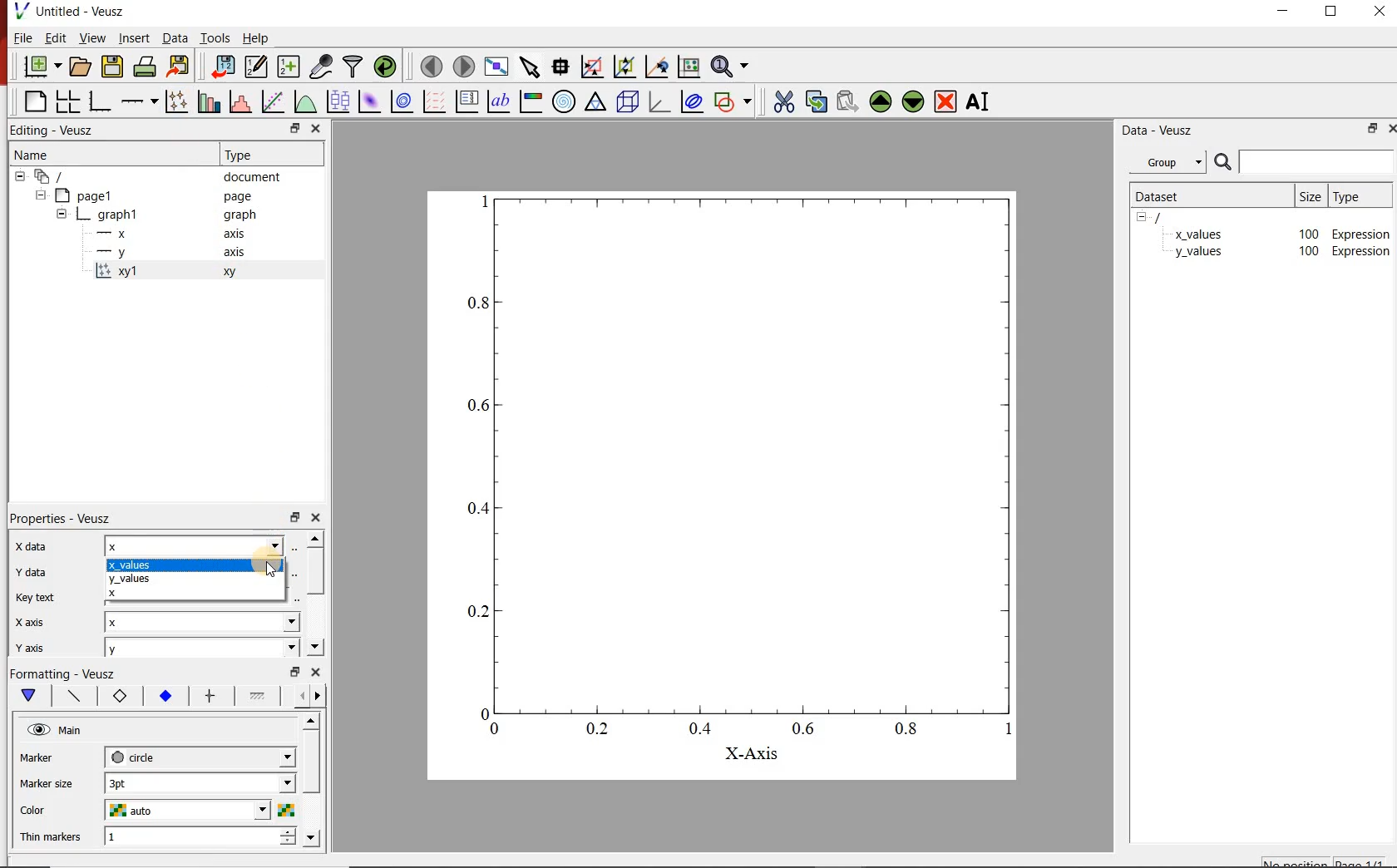 The width and height of the screenshot is (1397, 868). What do you see at coordinates (274, 569) in the screenshot?
I see `cursor` at bounding box center [274, 569].